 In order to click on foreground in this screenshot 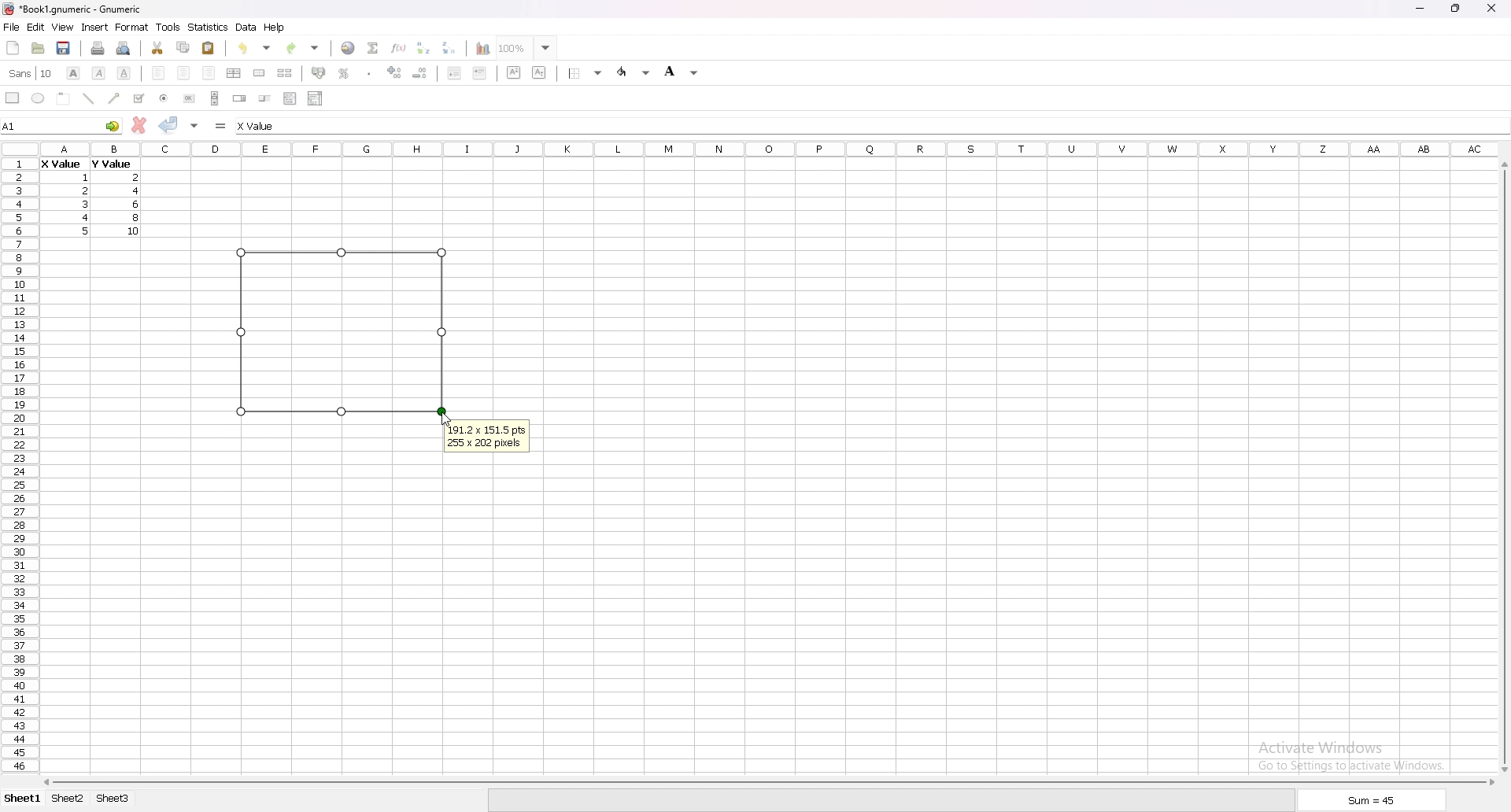, I will do `click(635, 72)`.